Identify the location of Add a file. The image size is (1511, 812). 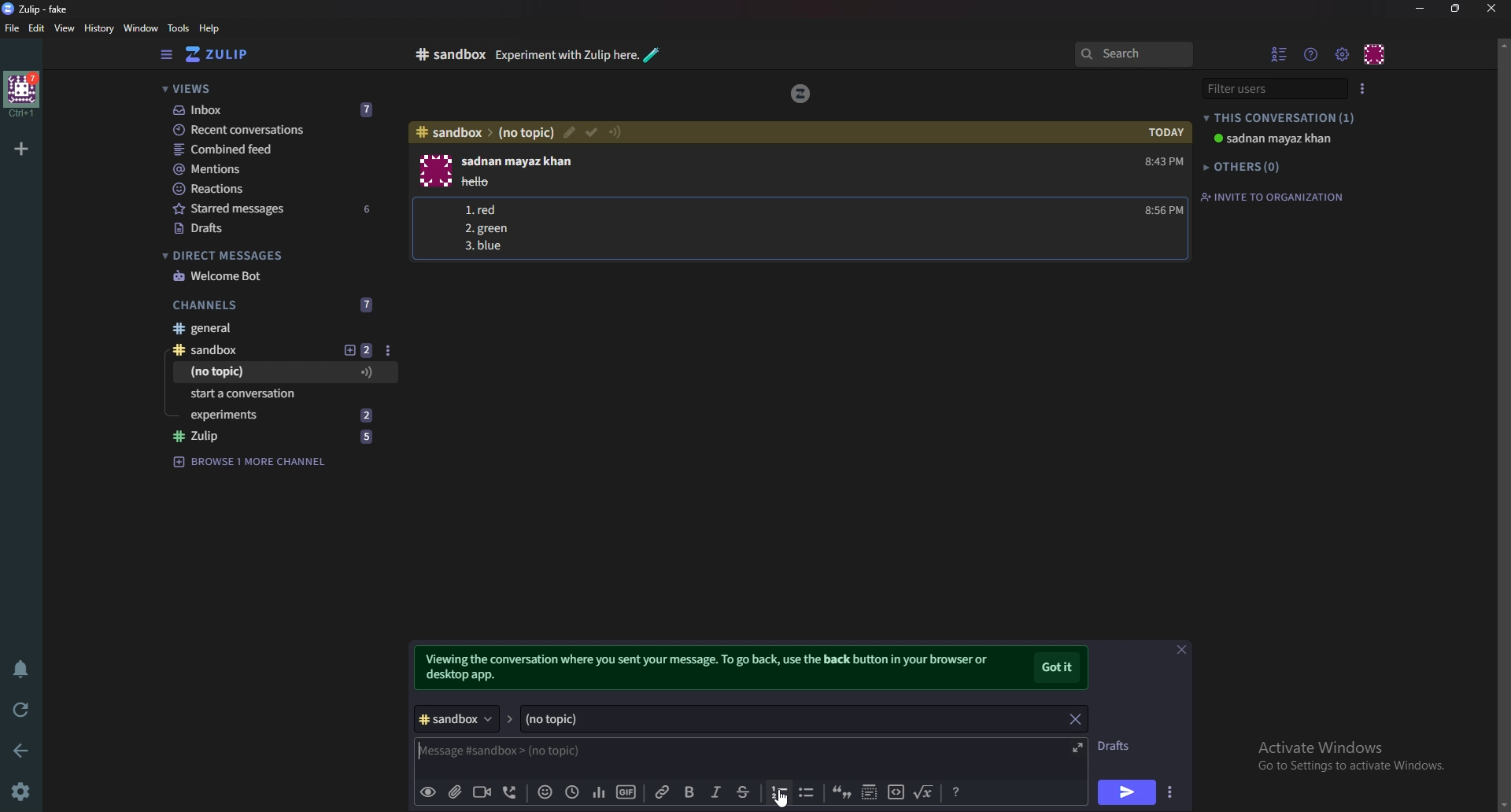
(453, 794).